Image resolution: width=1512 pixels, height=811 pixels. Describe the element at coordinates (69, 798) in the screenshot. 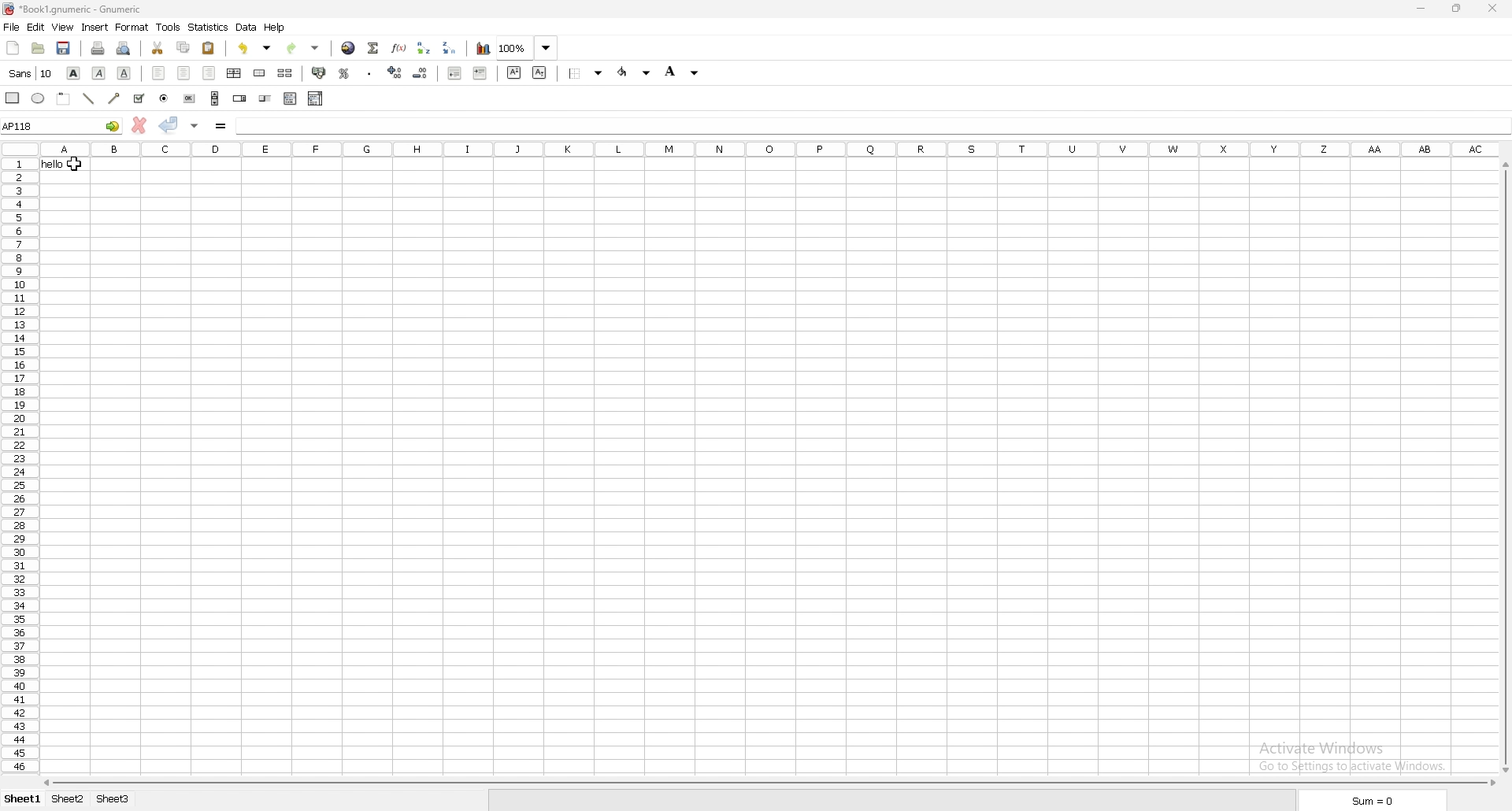

I see `sheet 2` at that location.